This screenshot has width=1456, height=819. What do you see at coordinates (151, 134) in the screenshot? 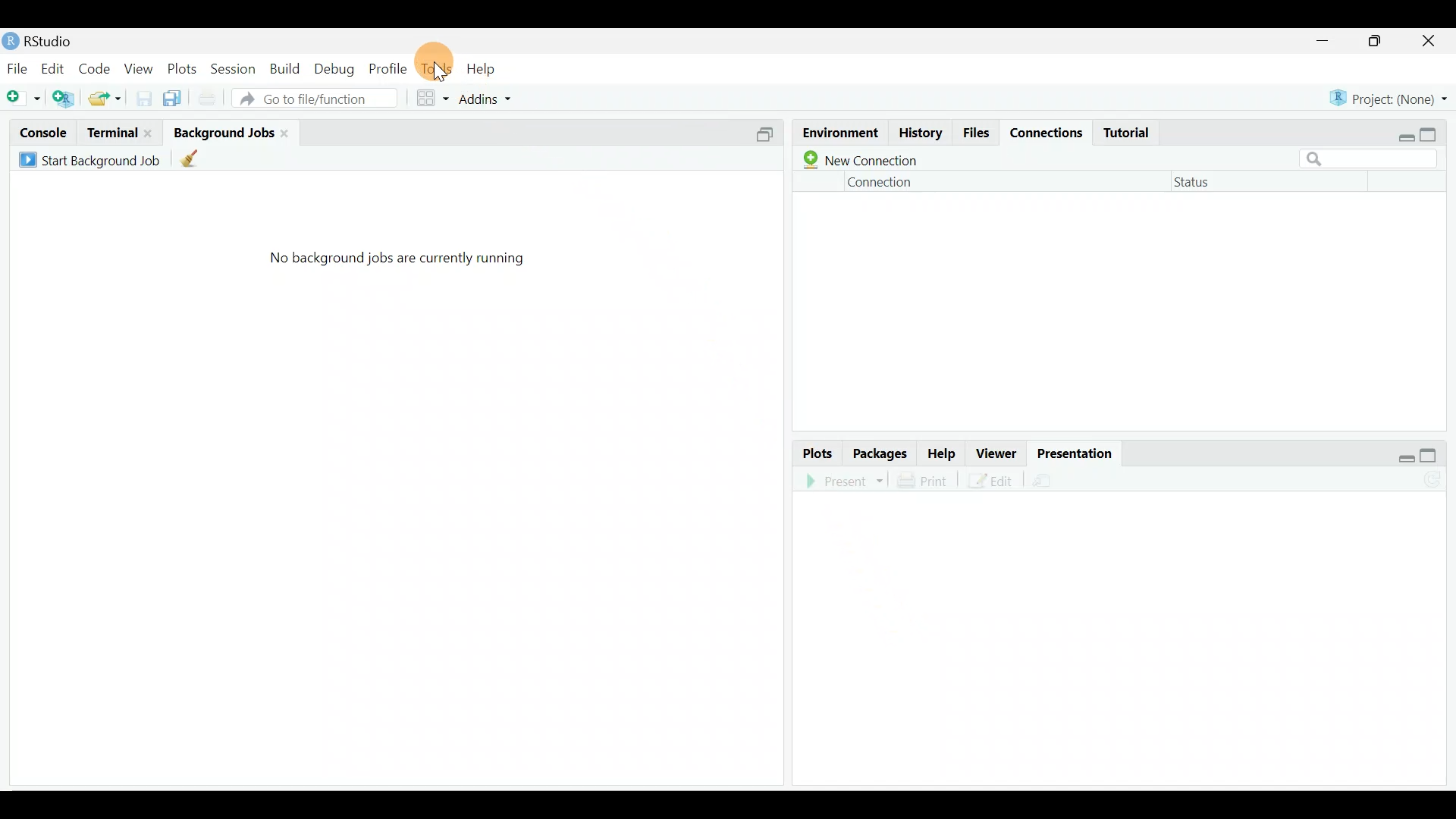
I see `close terminal` at bounding box center [151, 134].